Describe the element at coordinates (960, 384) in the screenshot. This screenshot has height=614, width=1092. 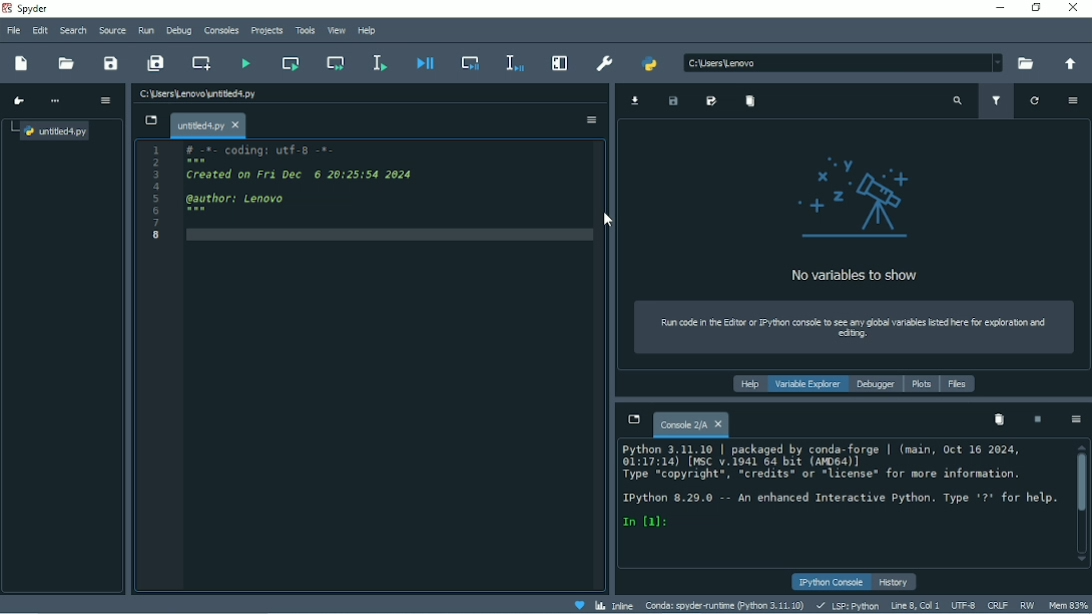
I see `Files` at that location.